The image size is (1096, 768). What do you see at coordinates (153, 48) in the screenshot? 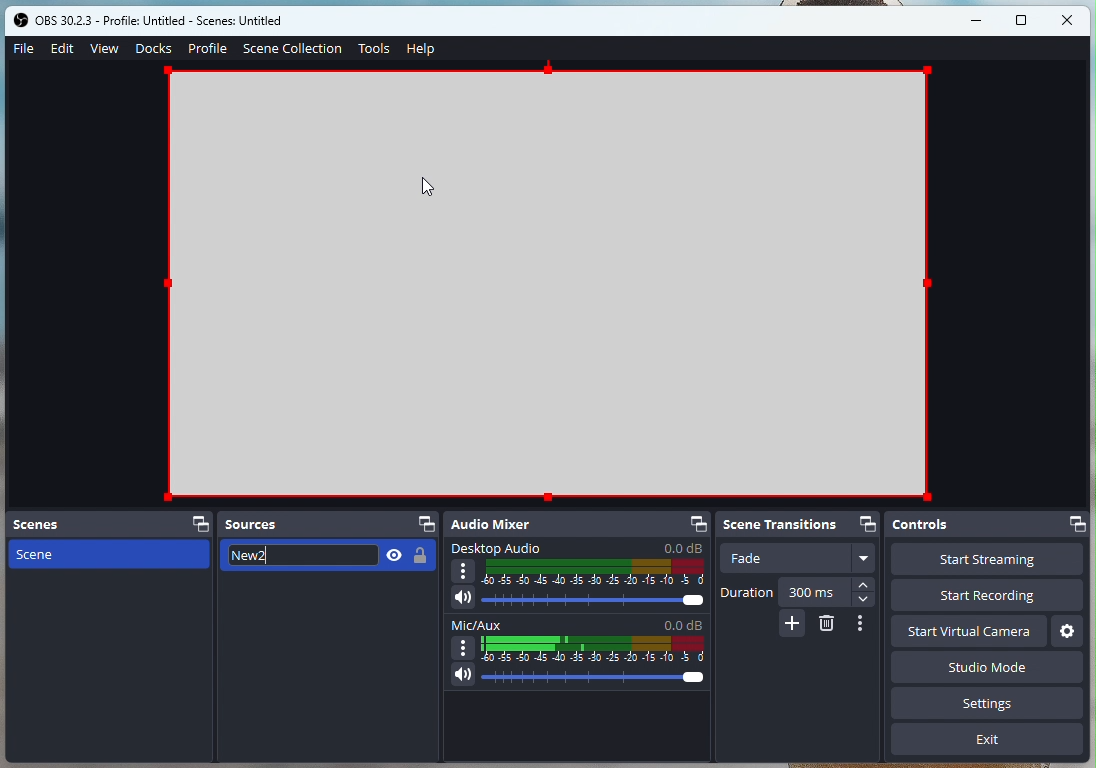
I see `Docs` at bounding box center [153, 48].